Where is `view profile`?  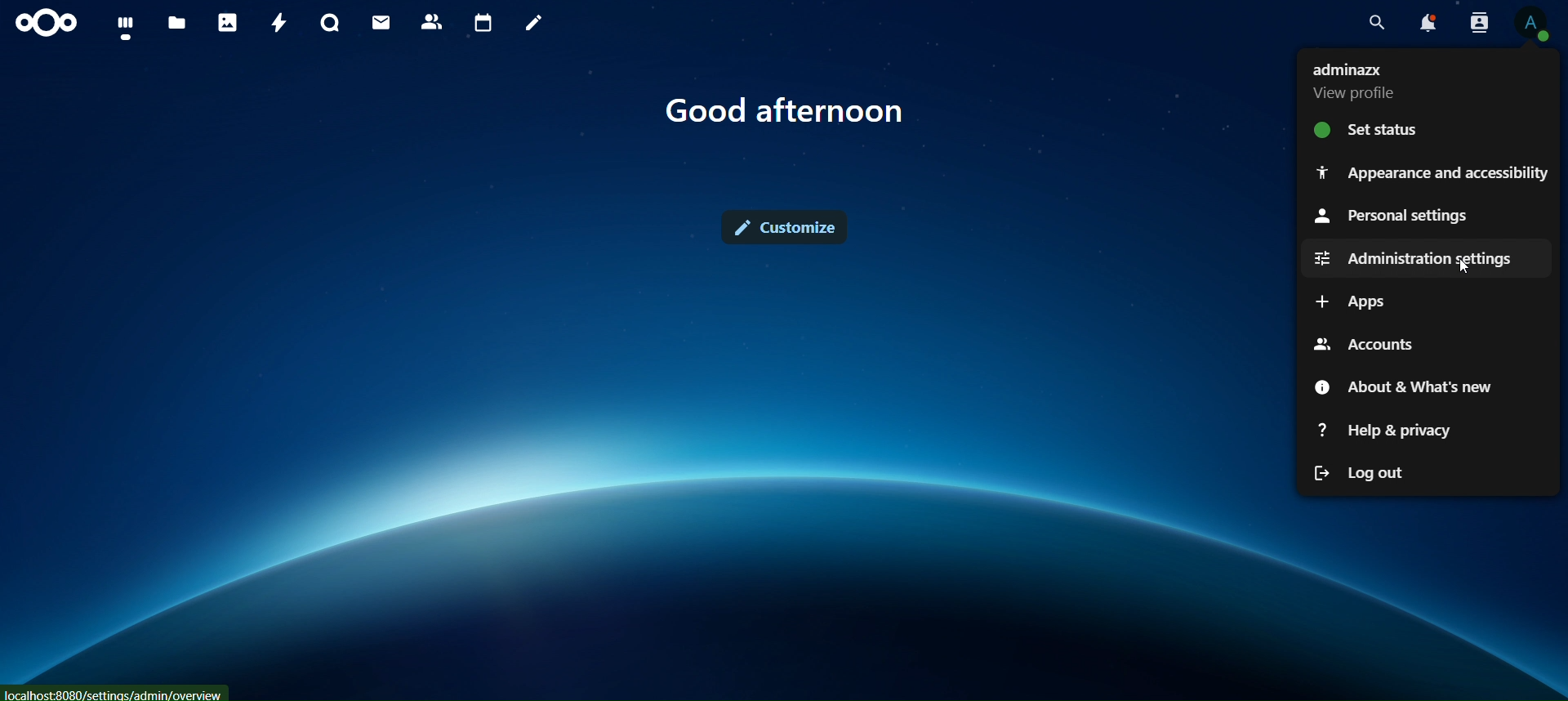
view profile is located at coordinates (1530, 25).